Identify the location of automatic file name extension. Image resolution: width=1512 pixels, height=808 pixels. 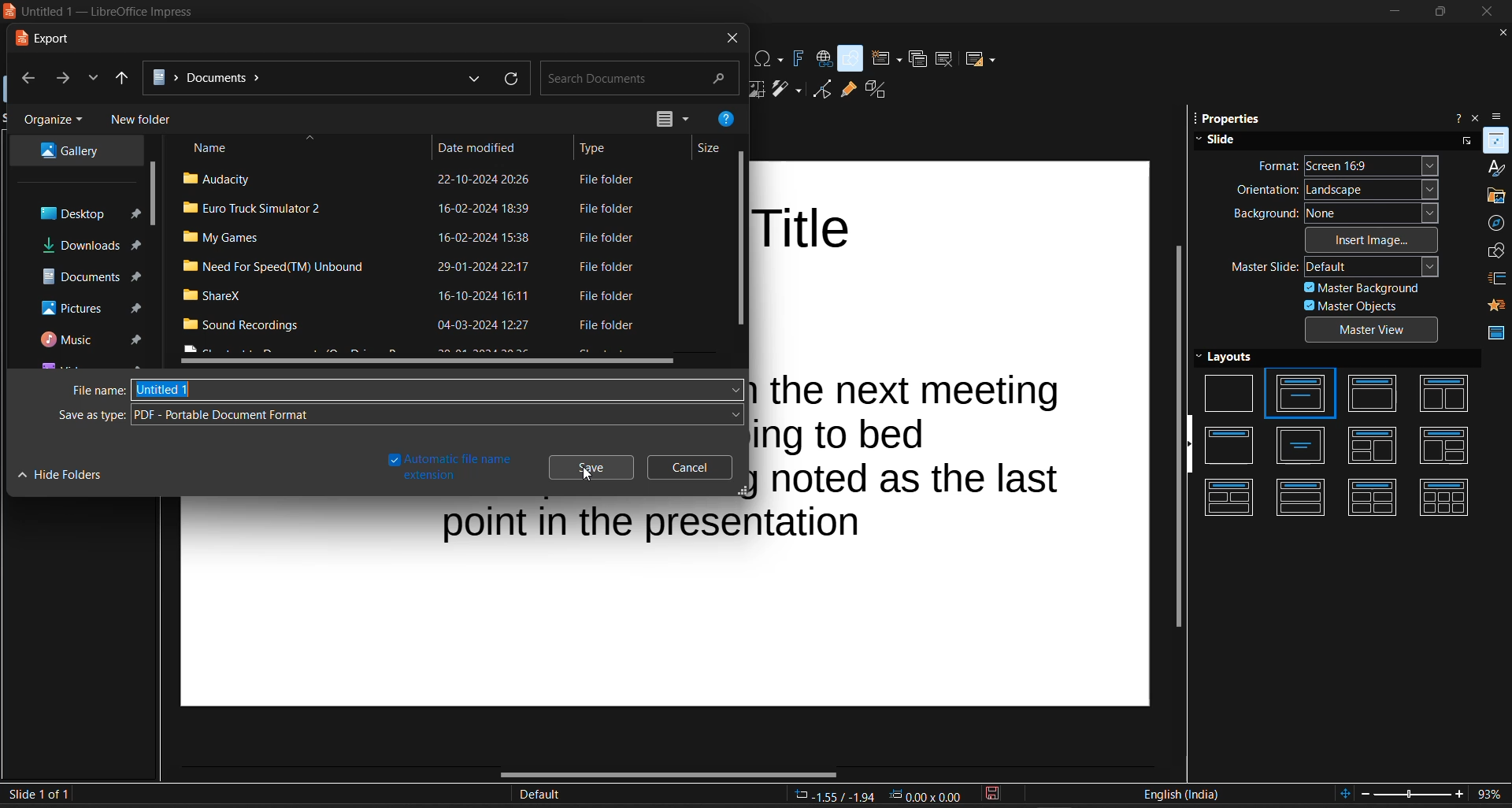
(447, 468).